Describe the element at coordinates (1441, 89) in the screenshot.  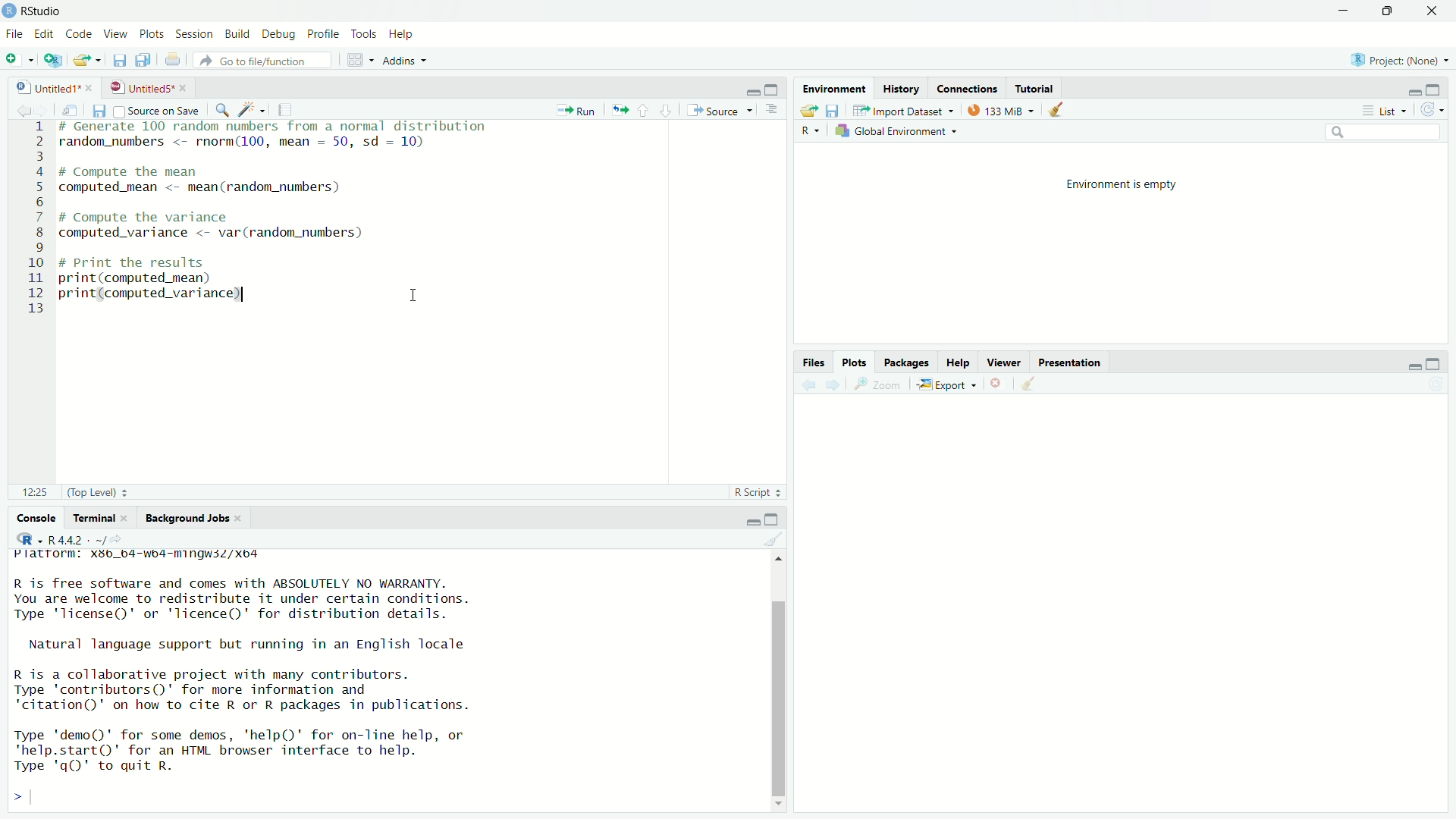
I see `maximize` at that location.